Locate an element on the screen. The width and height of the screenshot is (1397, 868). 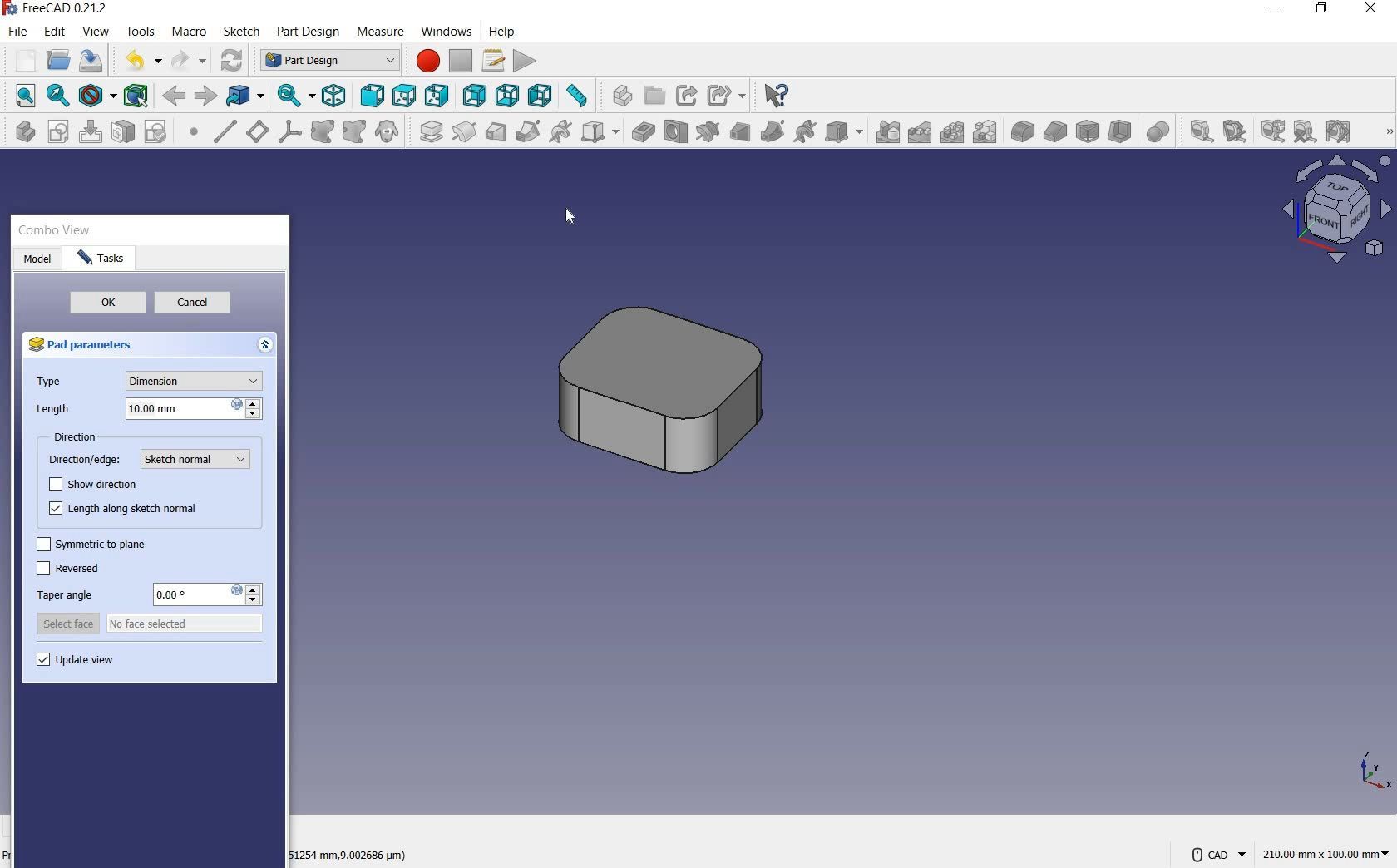
subtractive helix is located at coordinates (804, 132).